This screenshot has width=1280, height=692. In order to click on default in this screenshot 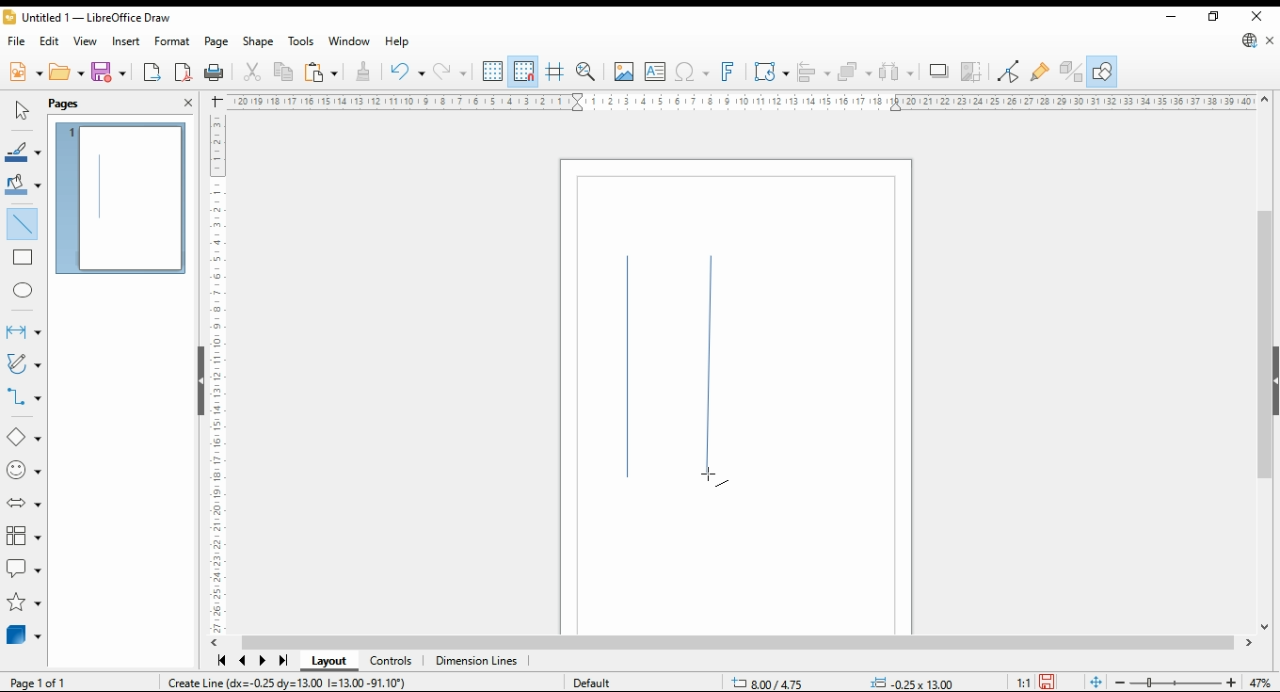, I will do `click(602, 679)`.